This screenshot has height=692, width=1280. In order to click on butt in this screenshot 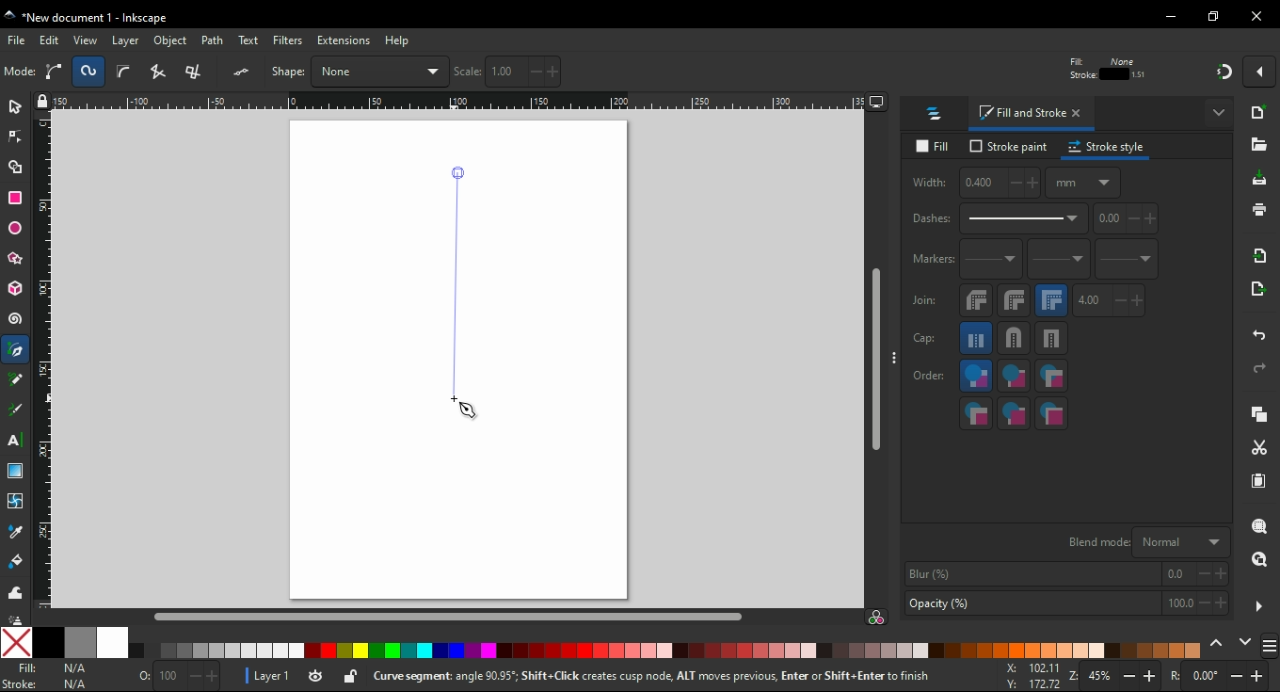, I will do `click(977, 338)`.